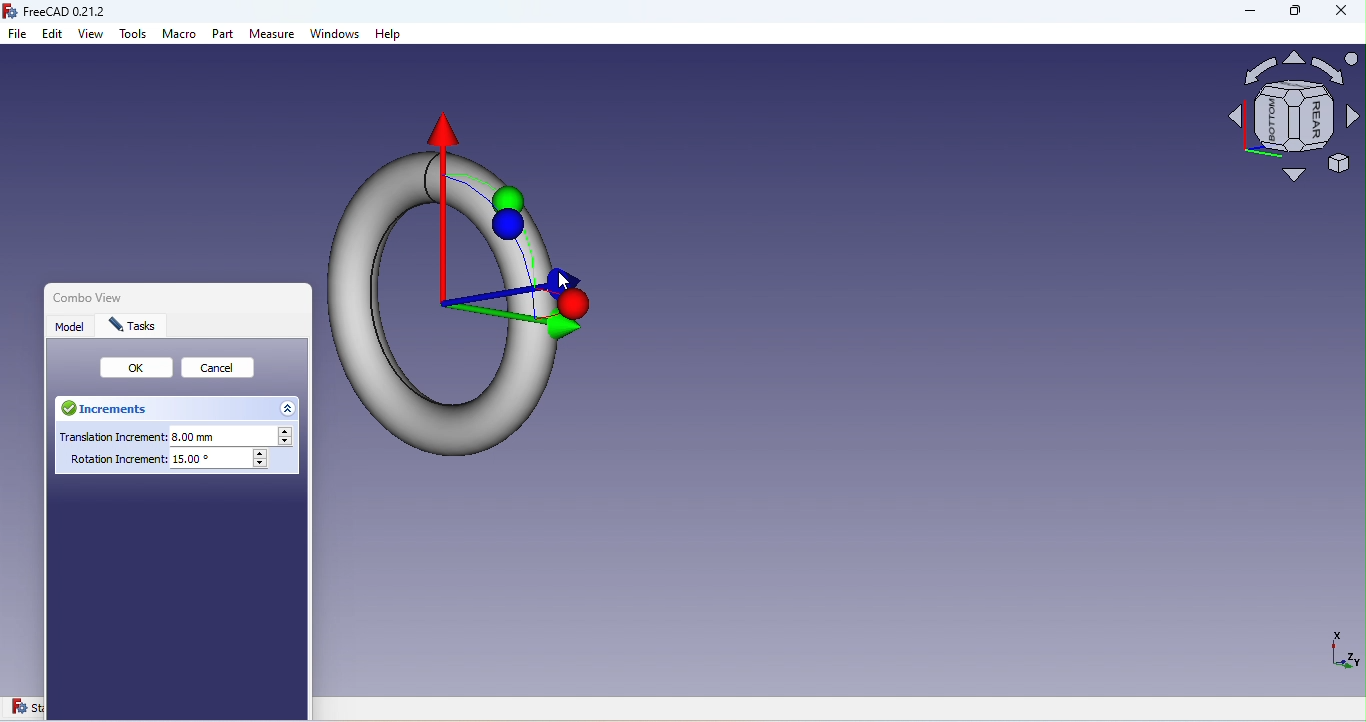 Image resolution: width=1366 pixels, height=722 pixels. What do you see at coordinates (1293, 15) in the screenshot?
I see `Maximize` at bounding box center [1293, 15].